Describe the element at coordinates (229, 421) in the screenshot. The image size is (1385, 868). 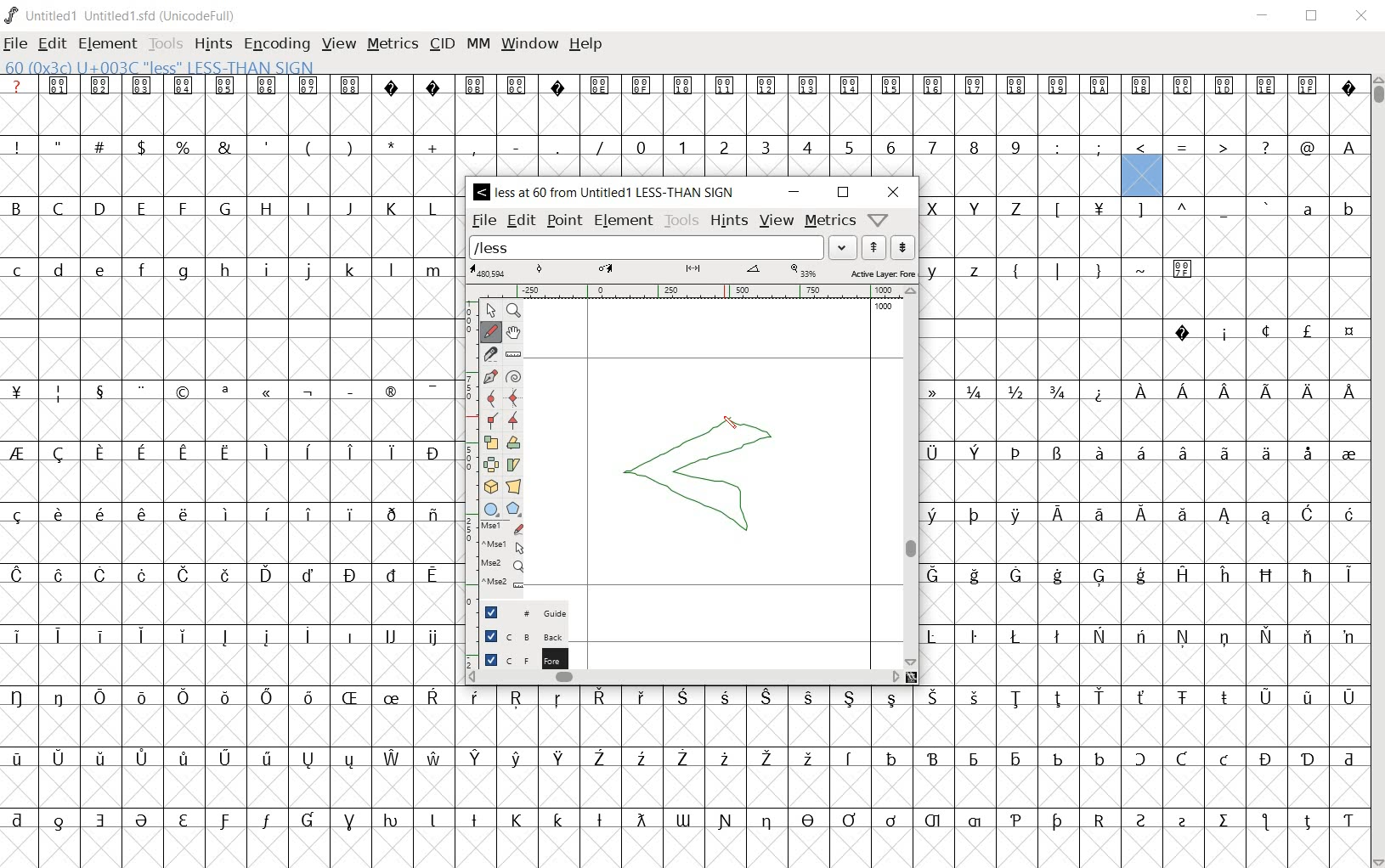
I see `empty cells` at that location.